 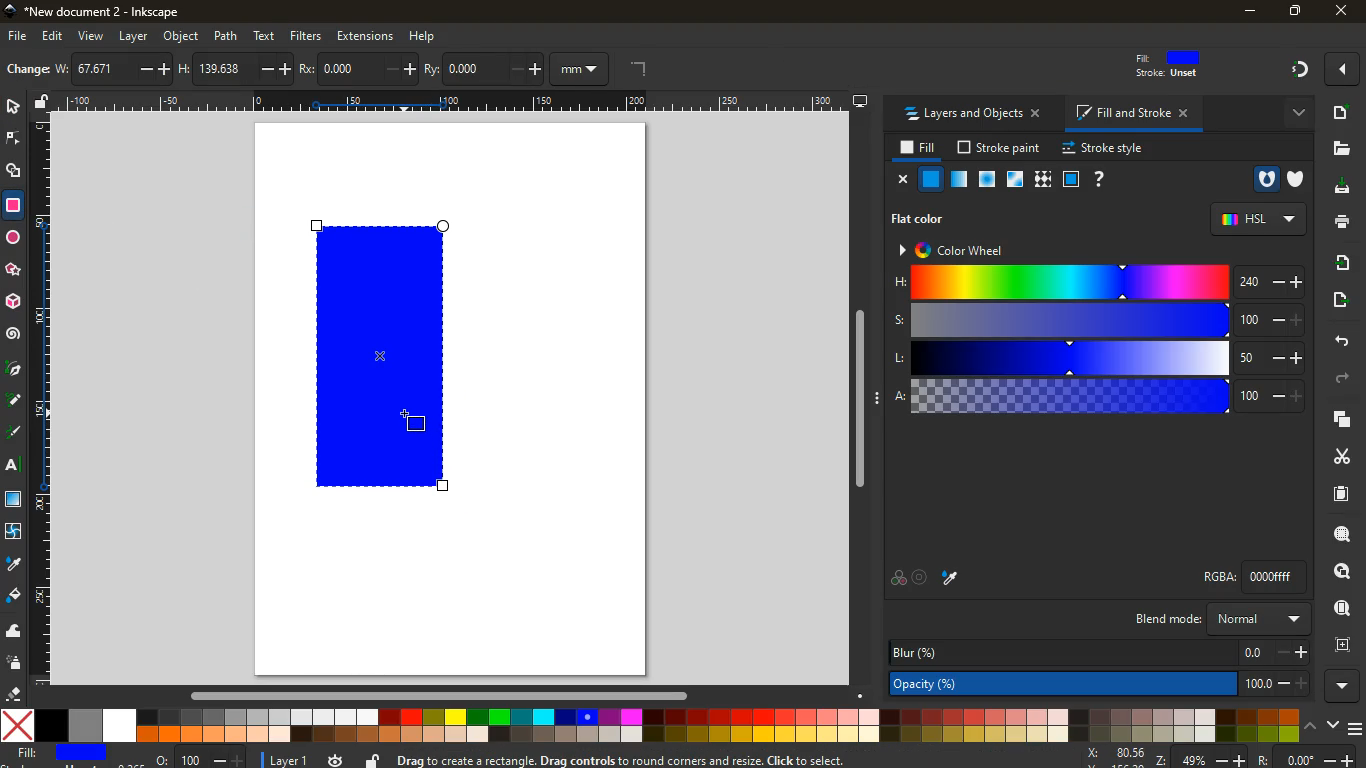 What do you see at coordinates (44, 104) in the screenshot?
I see `unlock` at bounding box center [44, 104].